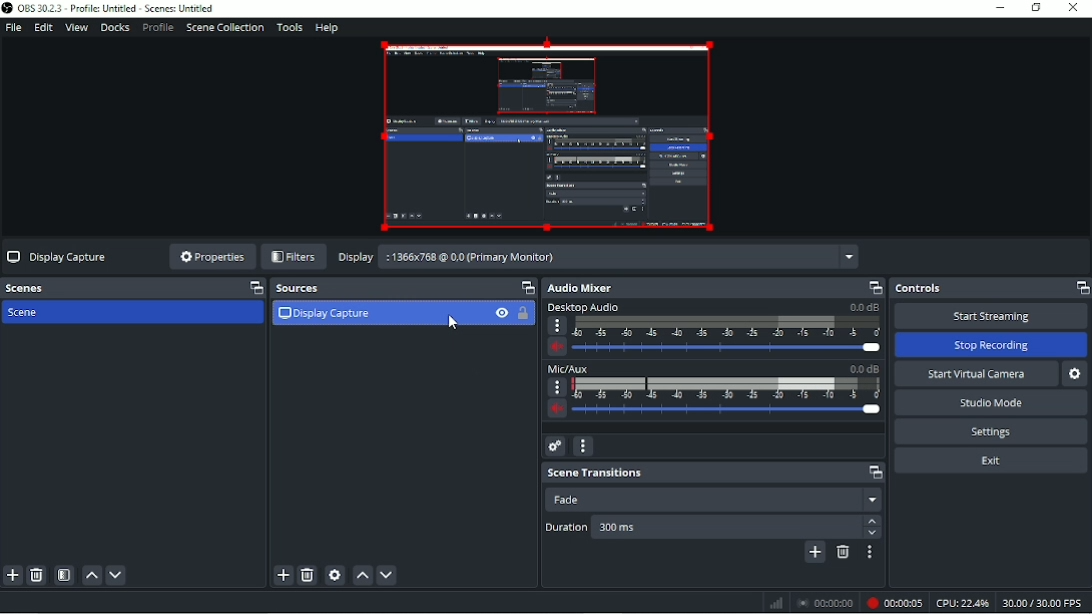 The width and height of the screenshot is (1092, 614). Describe the element at coordinates (91, 576) in the screenshot. I see `Move scene up` at that location.